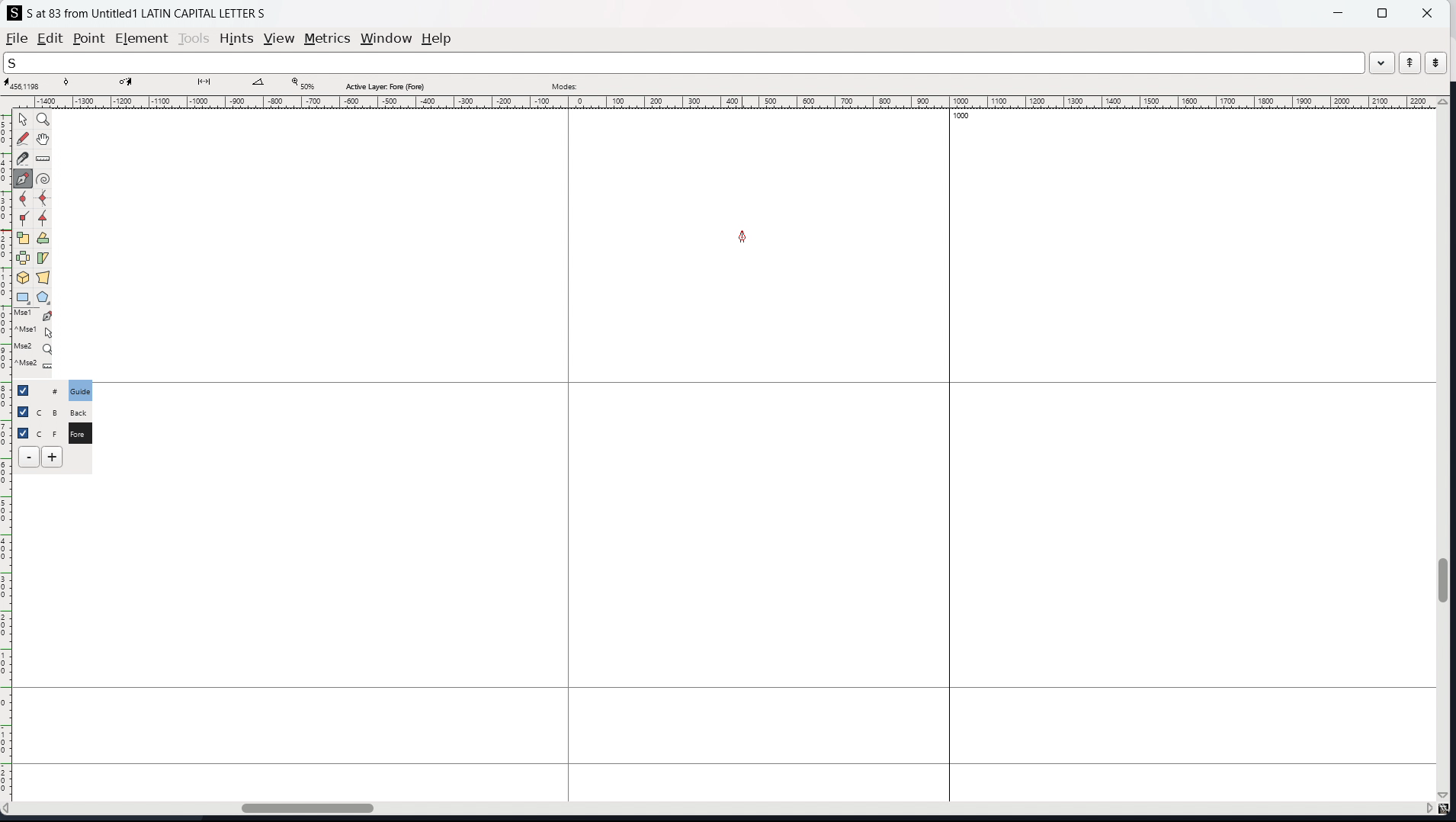 The width and height of the screenshot is (1456, 822). I want to click on toggle spiro, so click(43, 178).